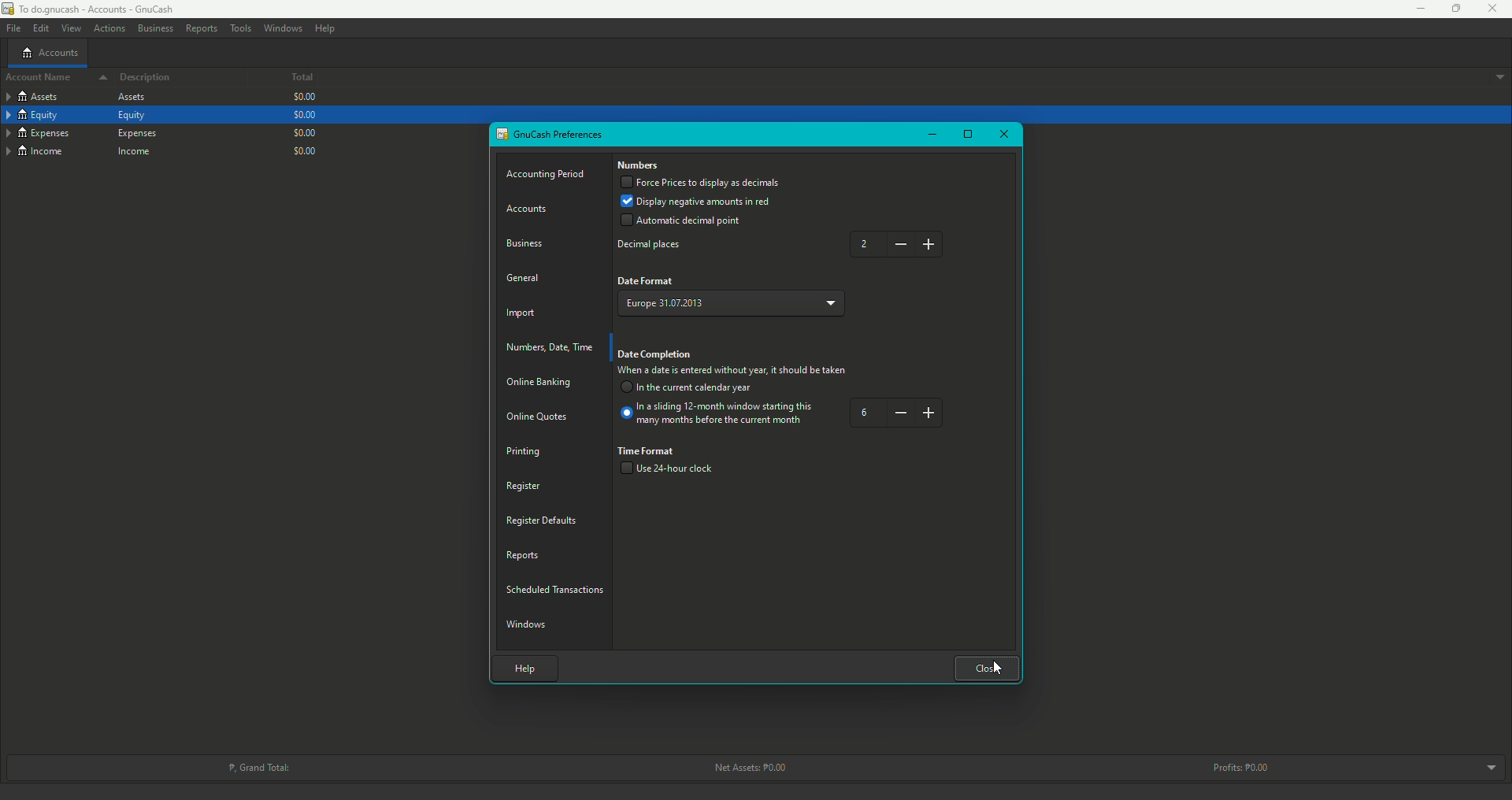  What do you see at coordinates (681, 222) in the screenshot?
I see `Automatic decimal points` at bounding box center [681, 222].